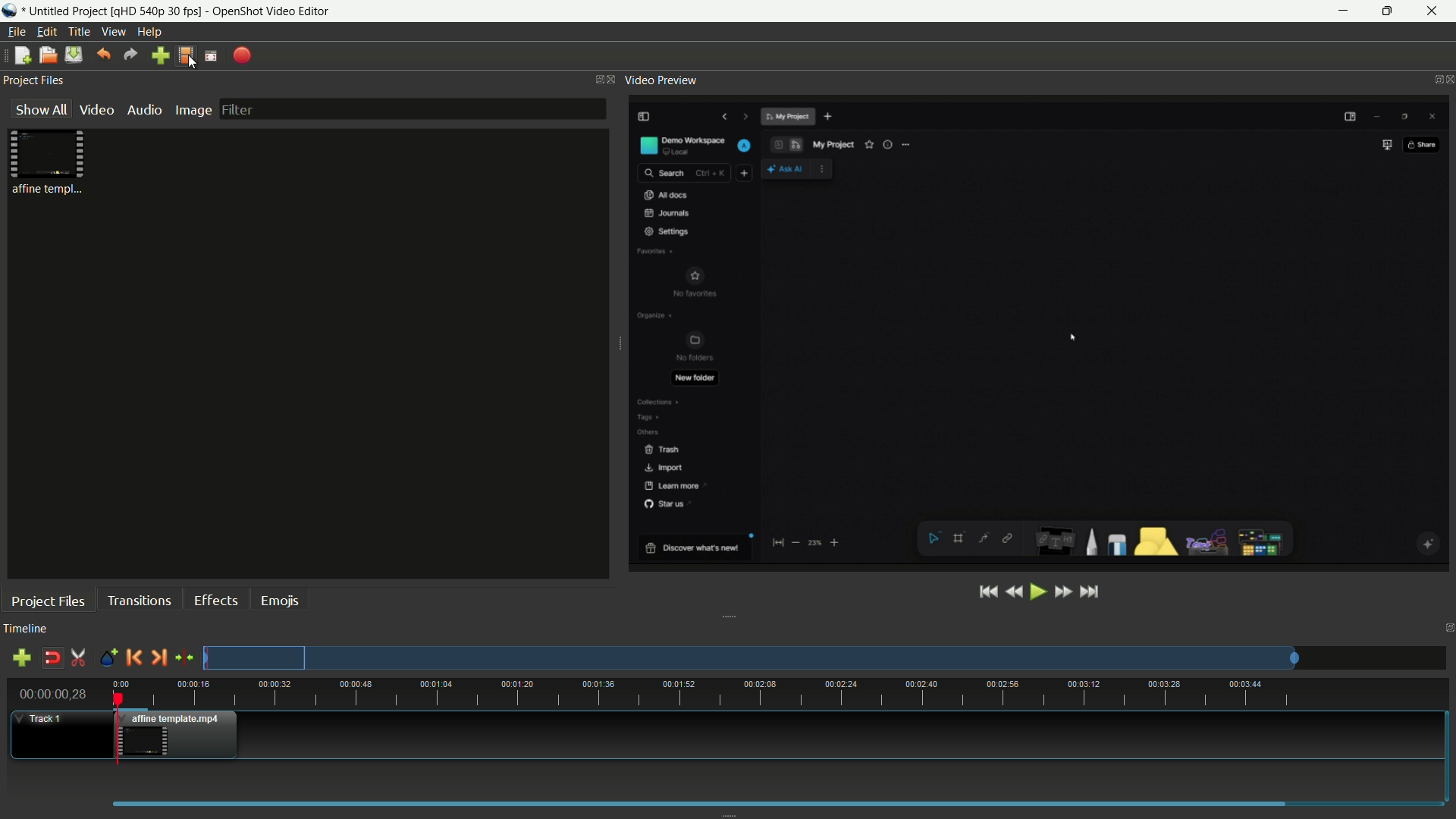 The height and width of the screenshot is (819, 1456). I want to click on profile, so click(186, 55).